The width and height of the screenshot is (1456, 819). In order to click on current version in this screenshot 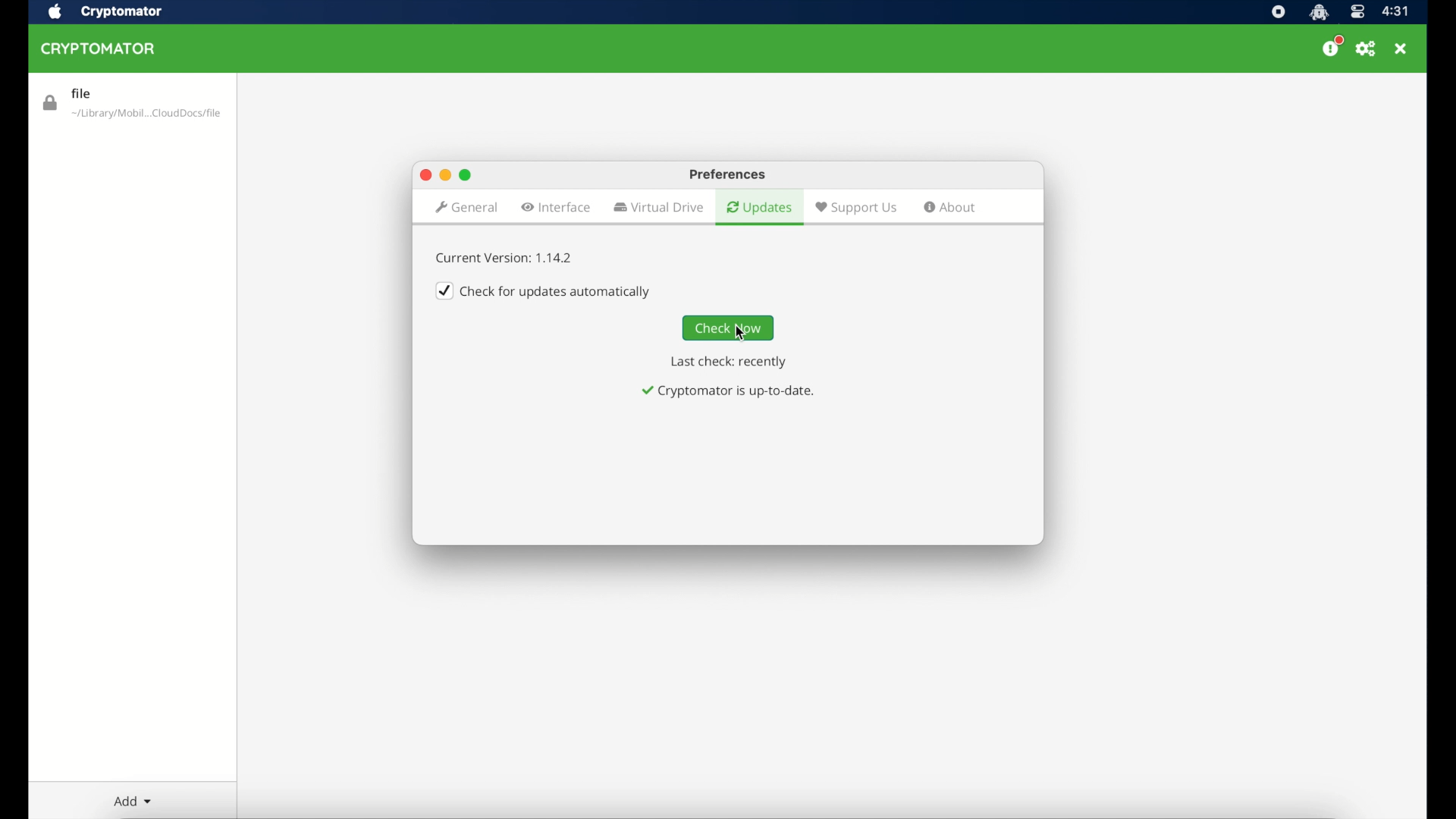, I will do `click(506, 258)`.